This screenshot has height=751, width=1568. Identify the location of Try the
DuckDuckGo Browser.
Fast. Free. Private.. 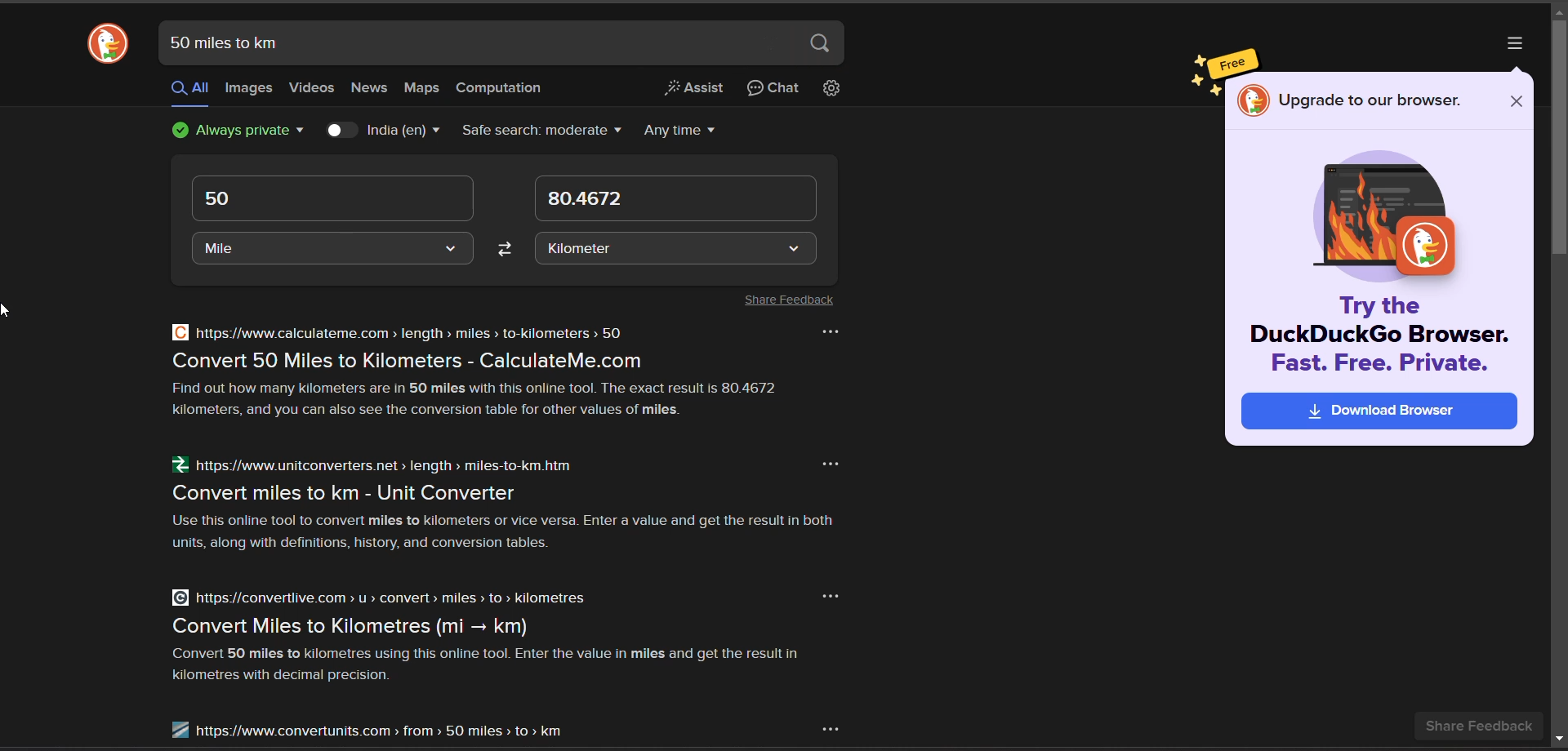
(1383, 335).